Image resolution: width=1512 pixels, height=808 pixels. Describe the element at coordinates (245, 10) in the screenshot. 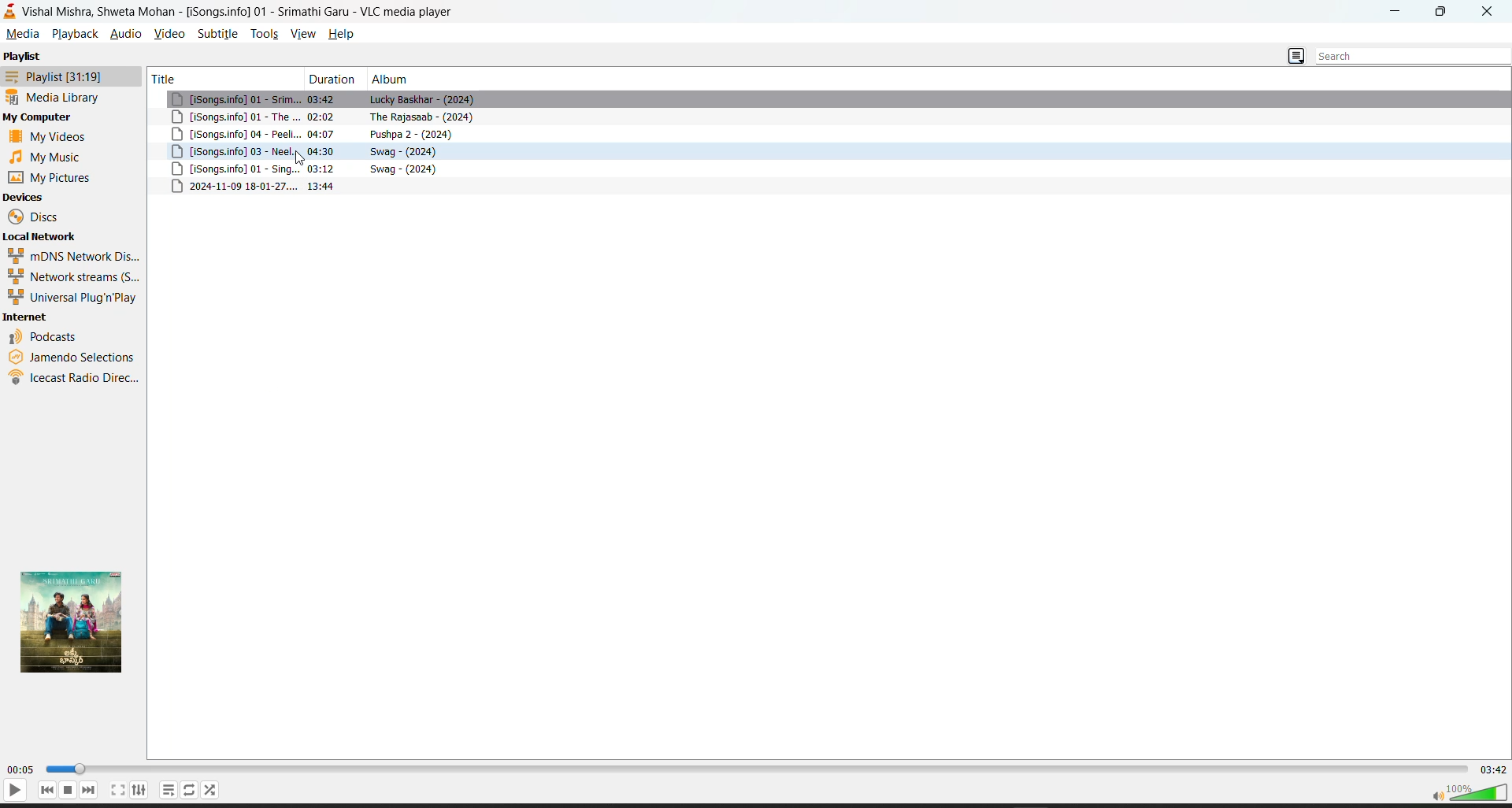

I see ` Vishal Mishra, Shweta Mohan - [iSongs.info] 01 - Srimathi Garu - VLC media player` at that location.